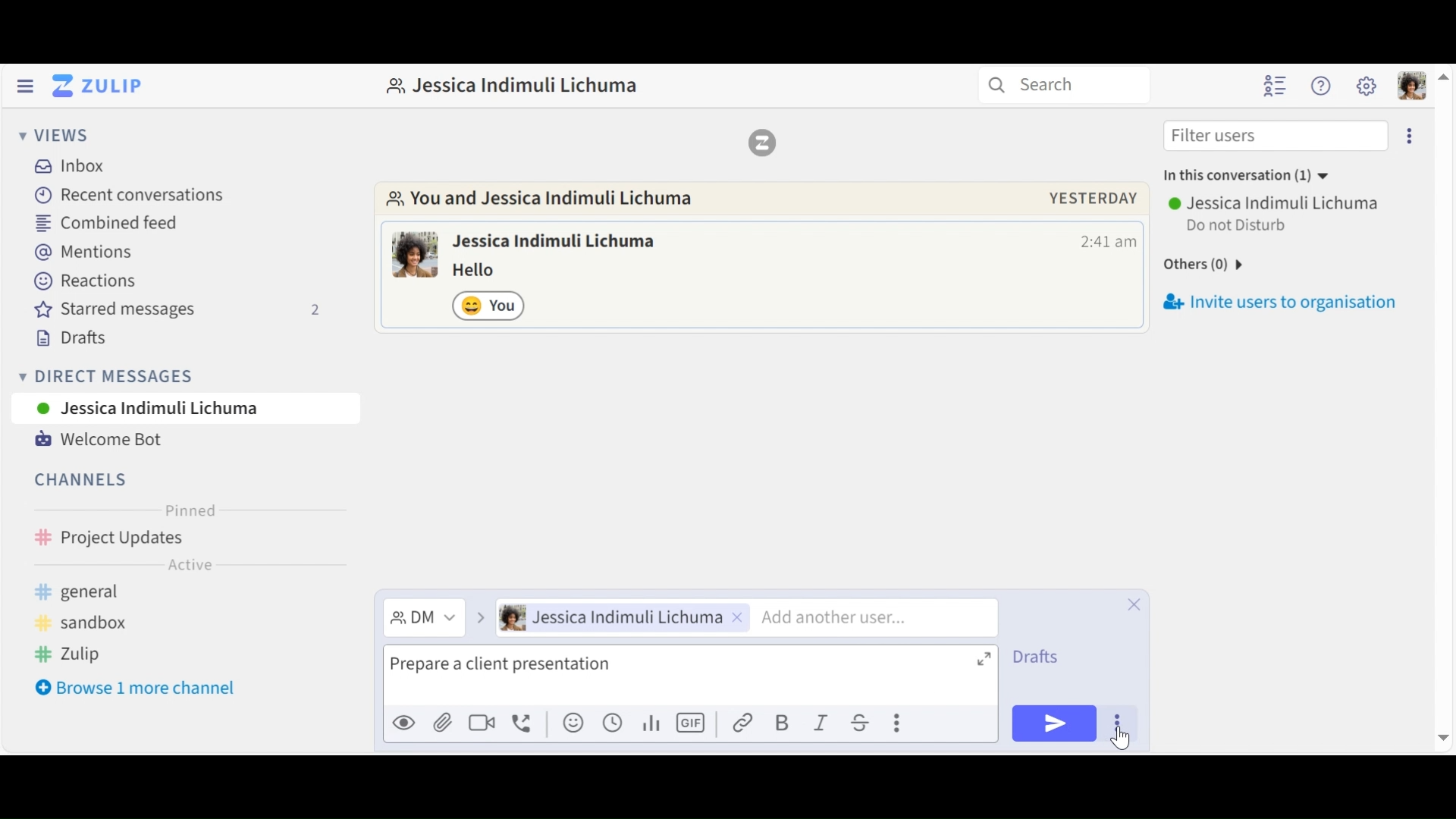 The image size is (1456, 819). Describe the element at coordinates (71, 165) in the screenshot. I see `Inbox` at that location.